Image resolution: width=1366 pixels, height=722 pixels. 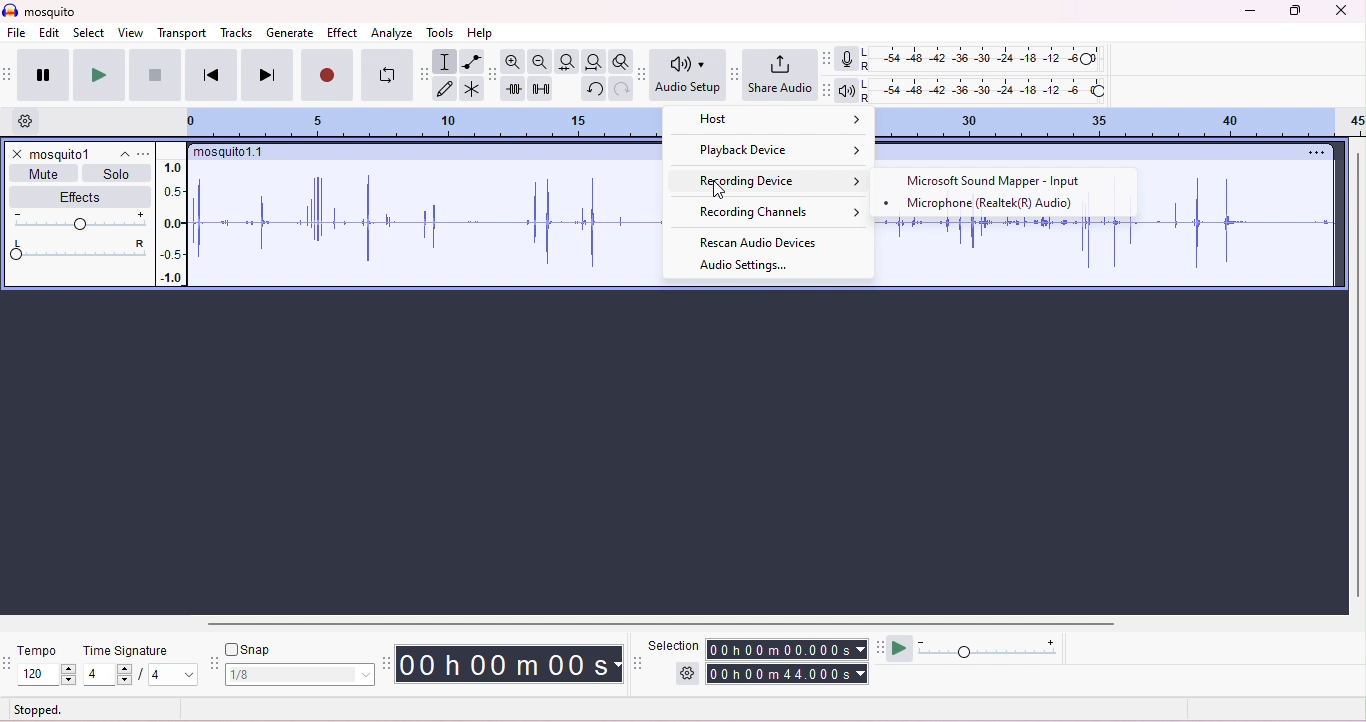 I want to click on stop, so click(x=154, y=75).